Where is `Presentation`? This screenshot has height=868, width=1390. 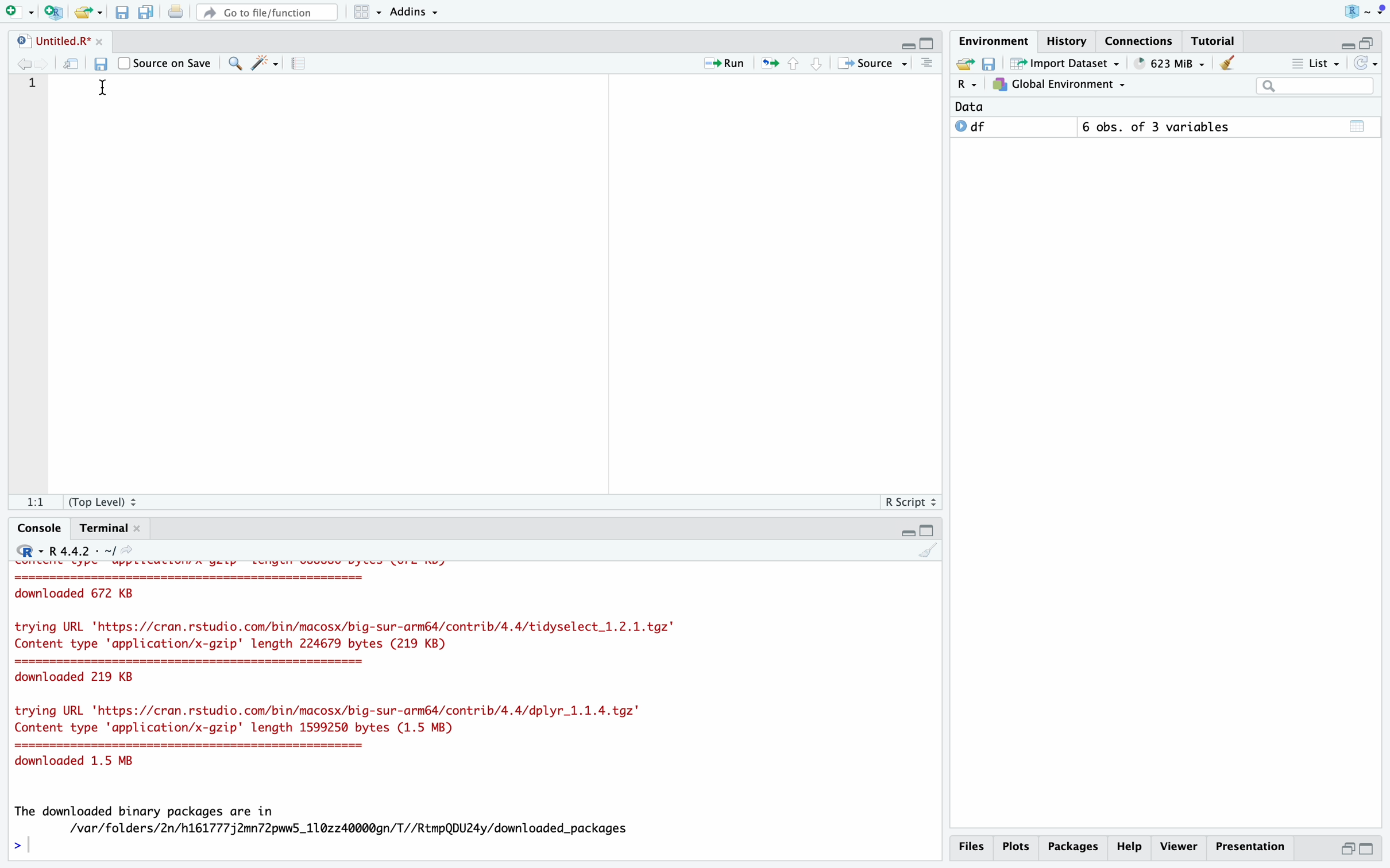
Presentation is located at coordinates (1250, 847).